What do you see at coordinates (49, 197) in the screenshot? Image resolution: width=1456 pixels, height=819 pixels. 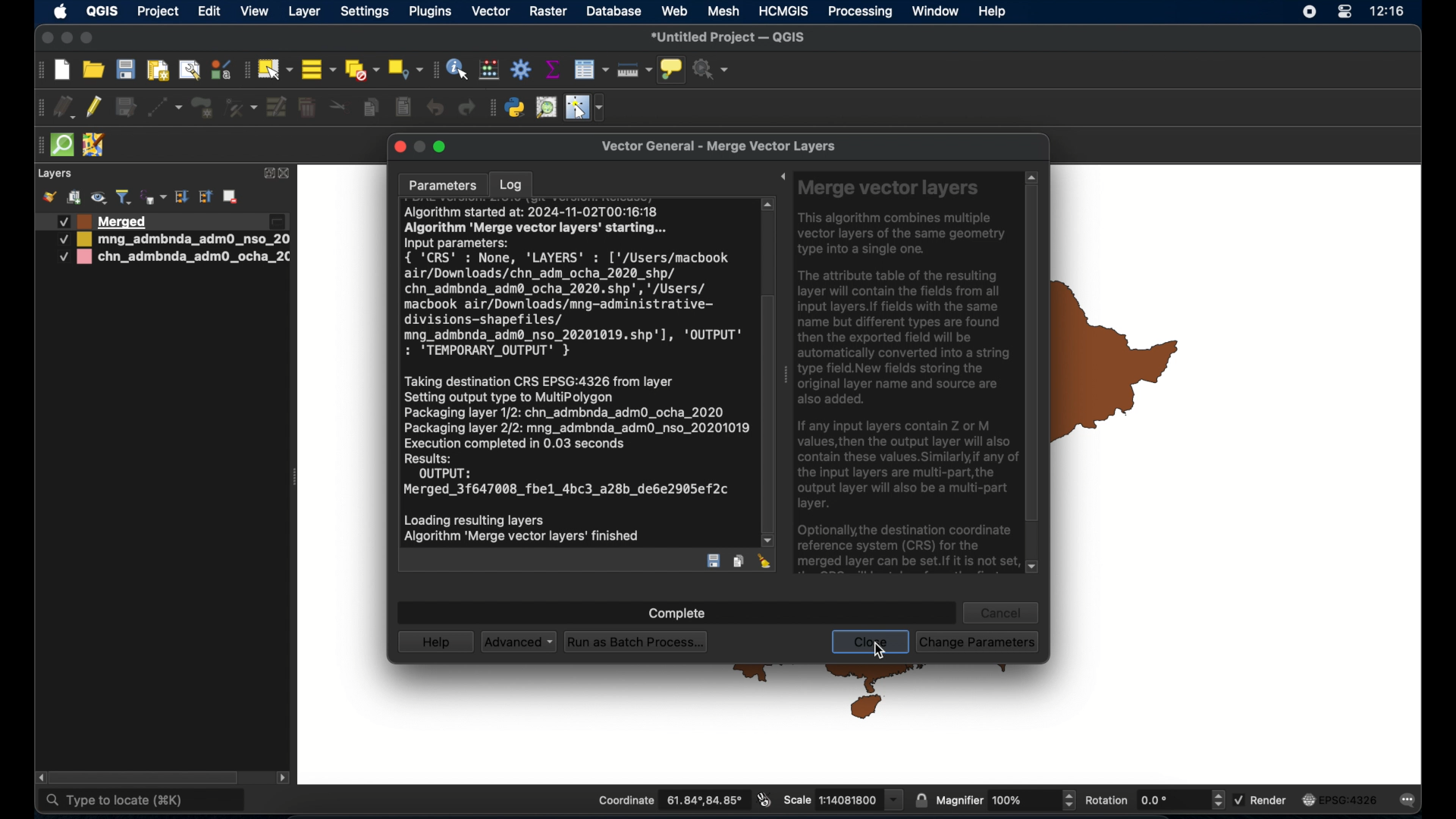 I see `open layer styling panel` at bounding box center [49, 197].